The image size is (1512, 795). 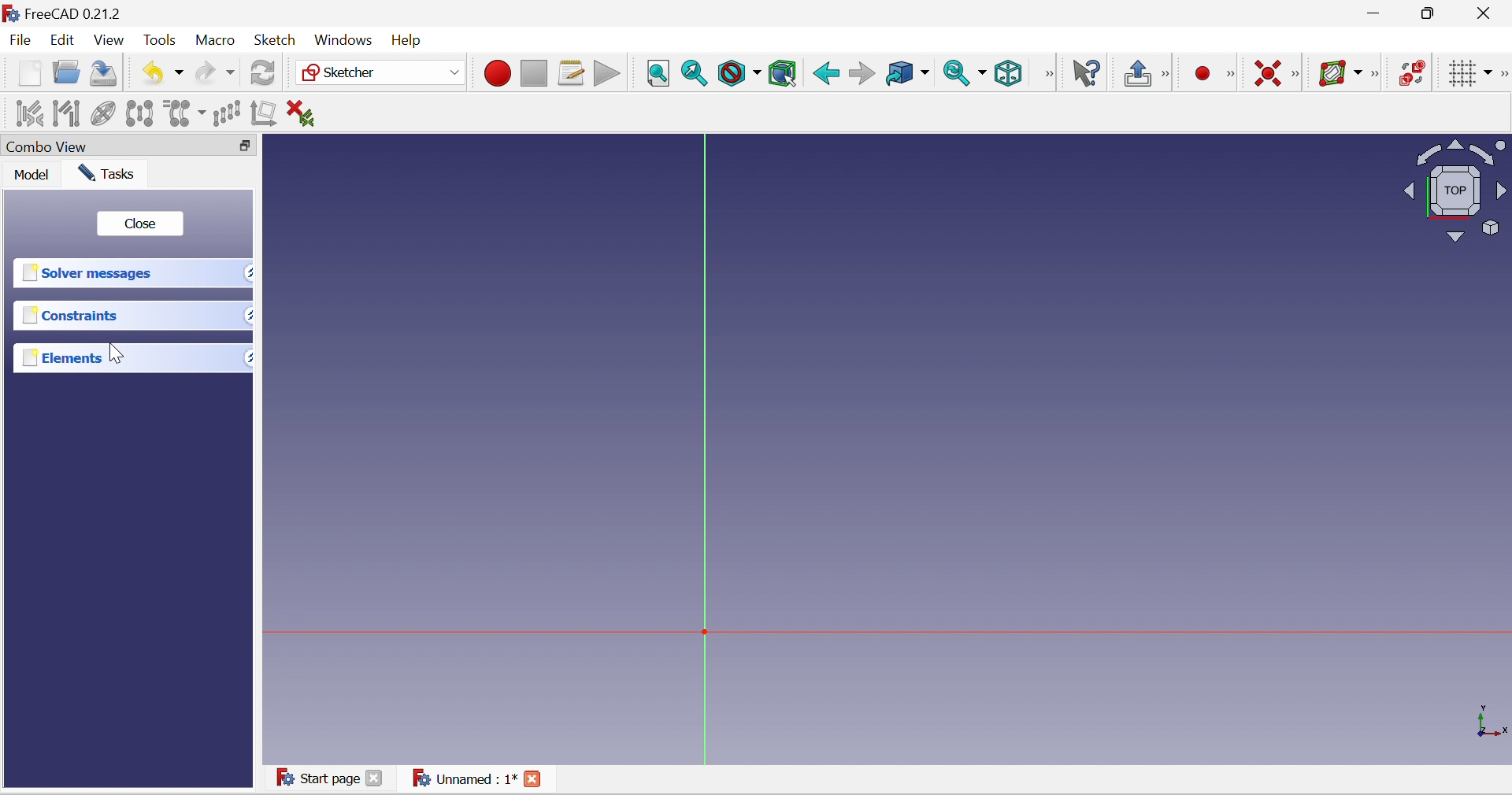 I want to click on Viewing angle, so click(x=1454, y=194).